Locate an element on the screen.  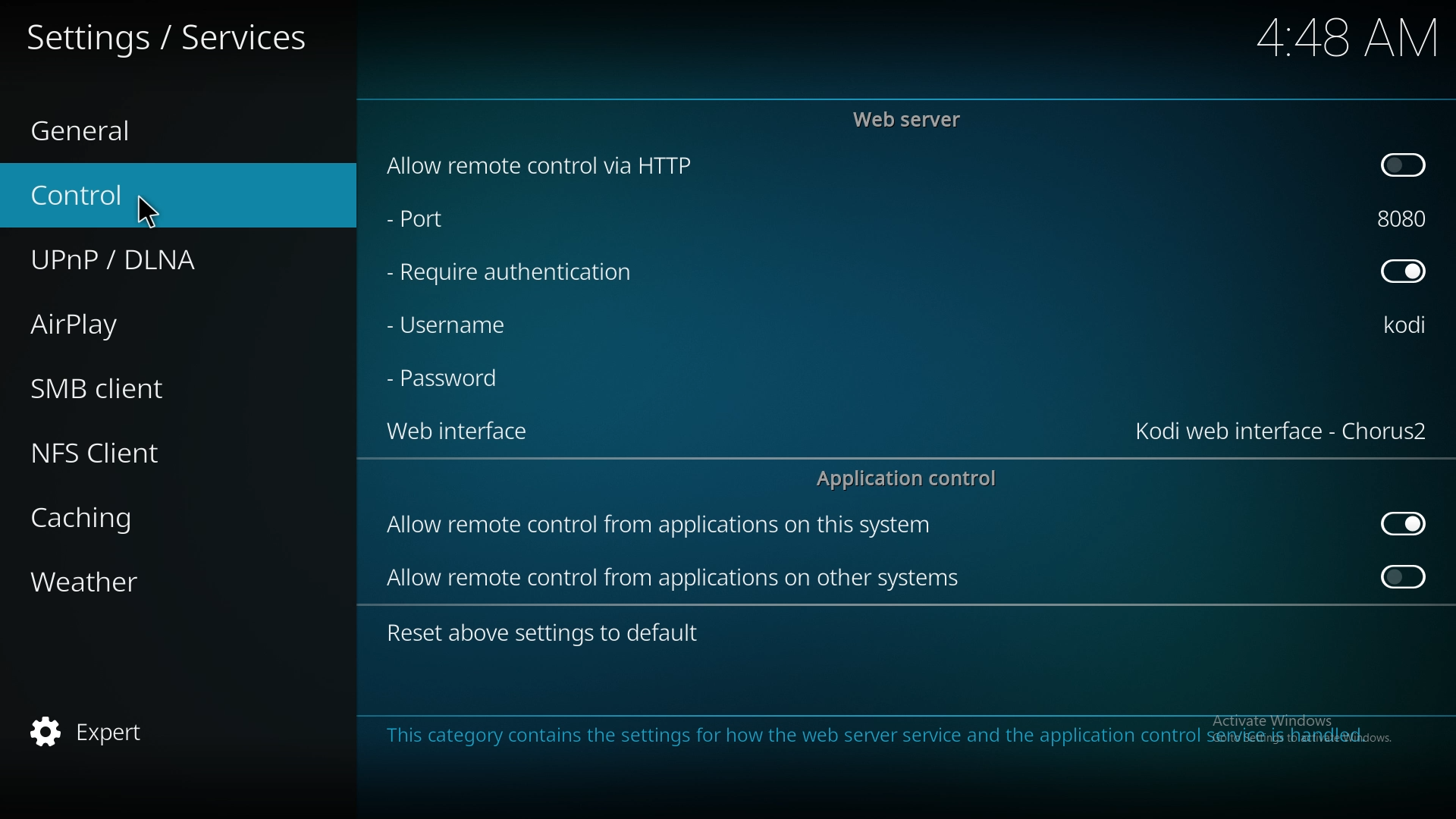
services is located at coordinates (182, 35).